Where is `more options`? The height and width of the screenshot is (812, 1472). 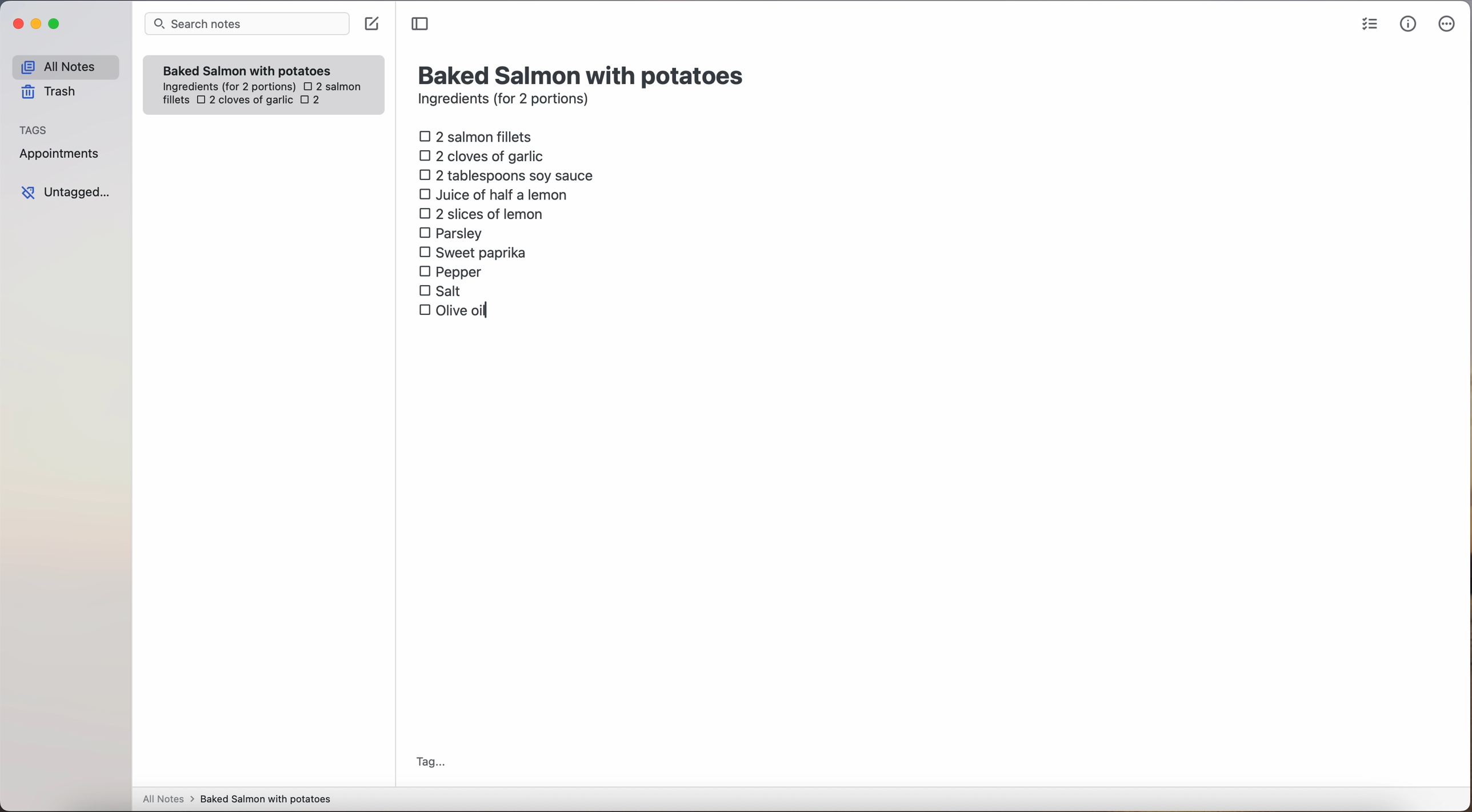 more options is located at coordinates (1449, 25).